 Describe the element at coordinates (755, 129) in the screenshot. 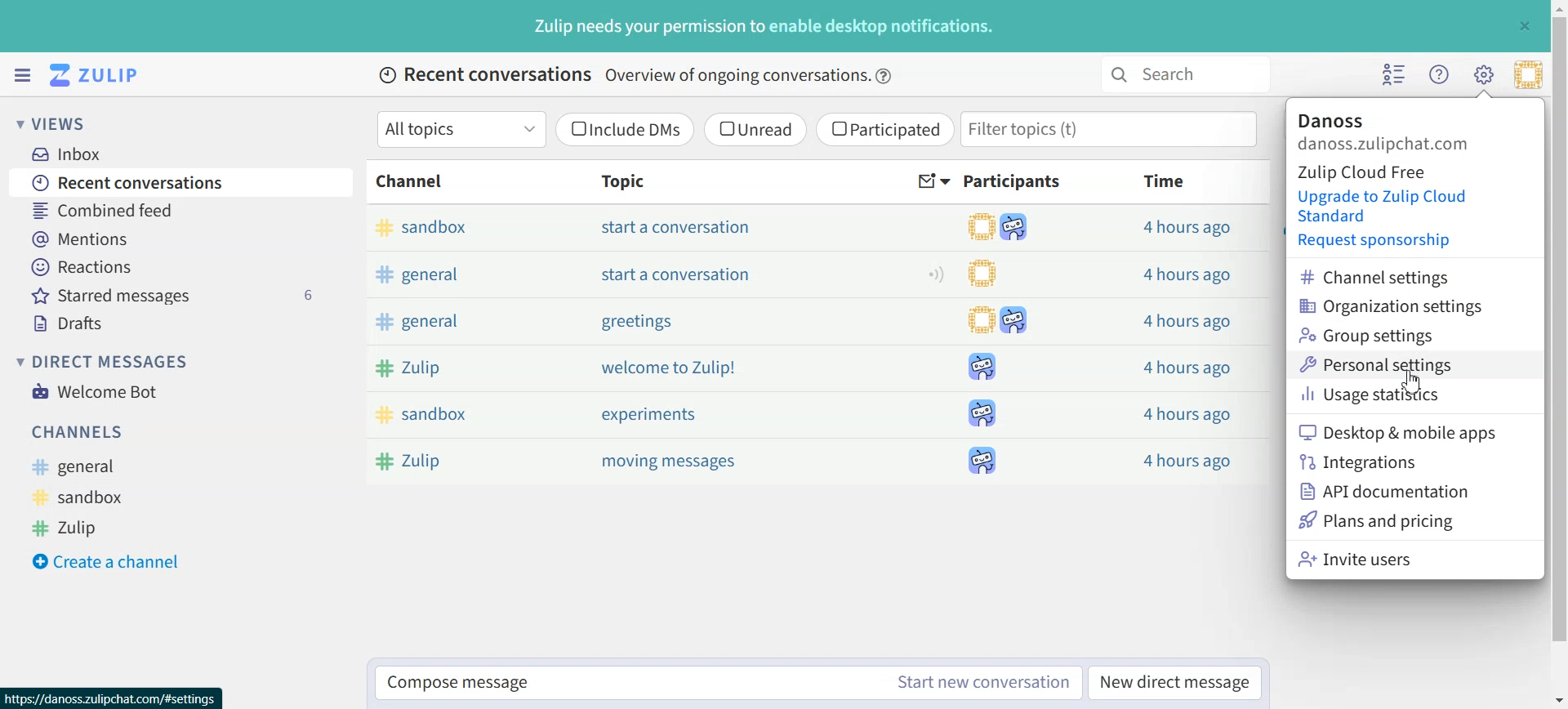

I see `Unread` at that location.